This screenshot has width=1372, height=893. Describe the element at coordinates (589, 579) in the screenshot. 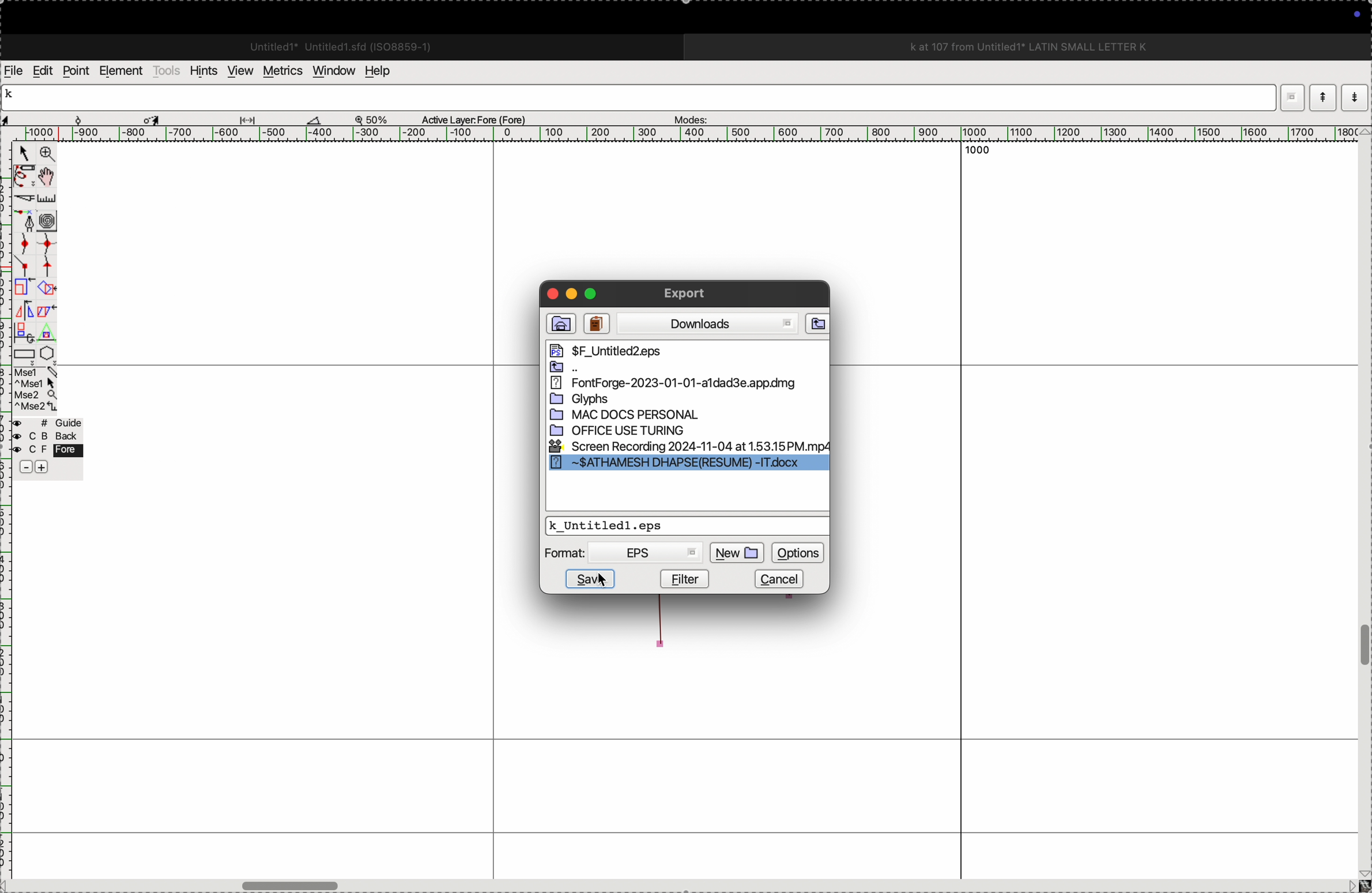

I see `save` at that location.